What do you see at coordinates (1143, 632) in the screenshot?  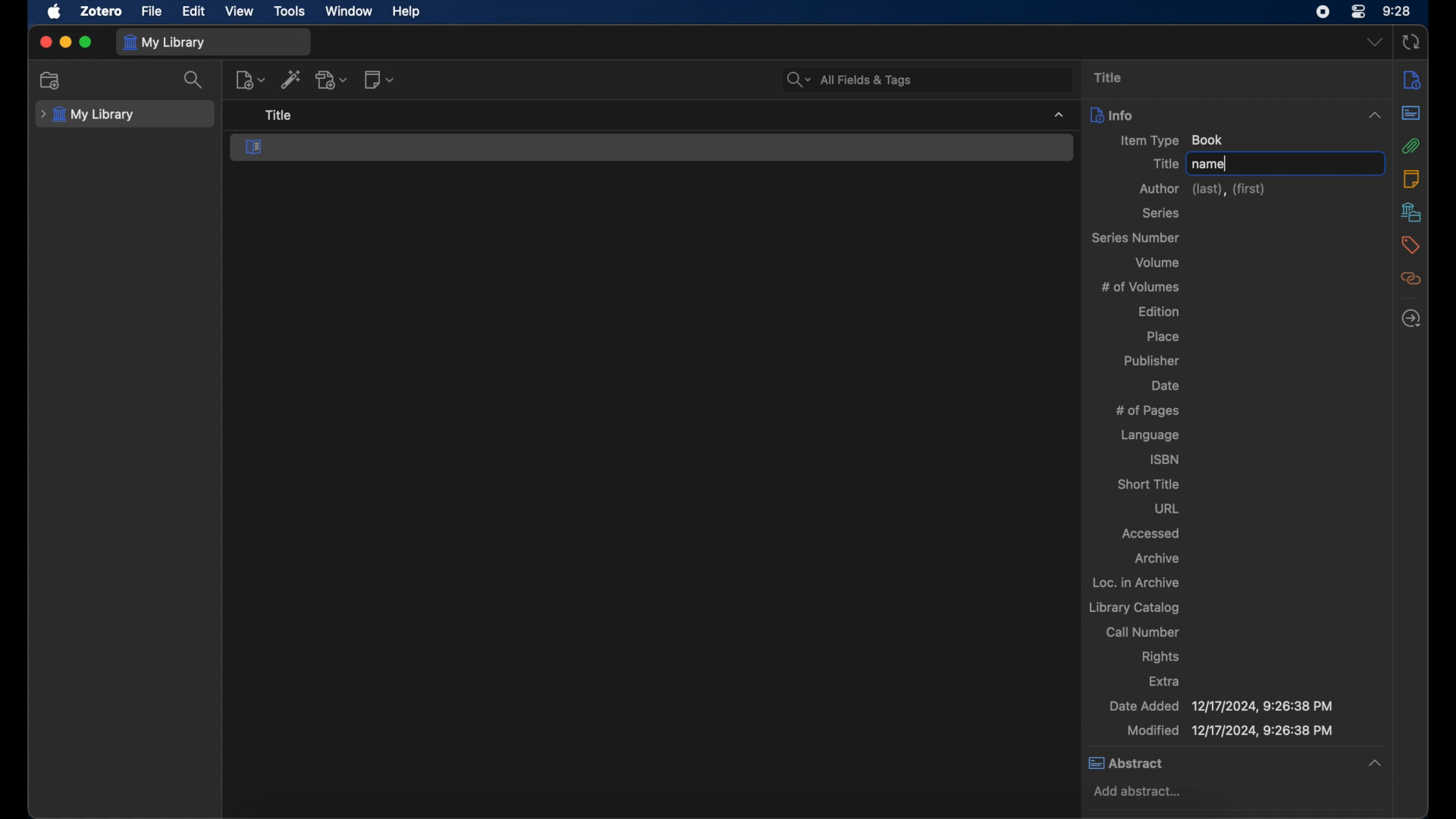 I see `call number` at bounding box center [1143, 632].